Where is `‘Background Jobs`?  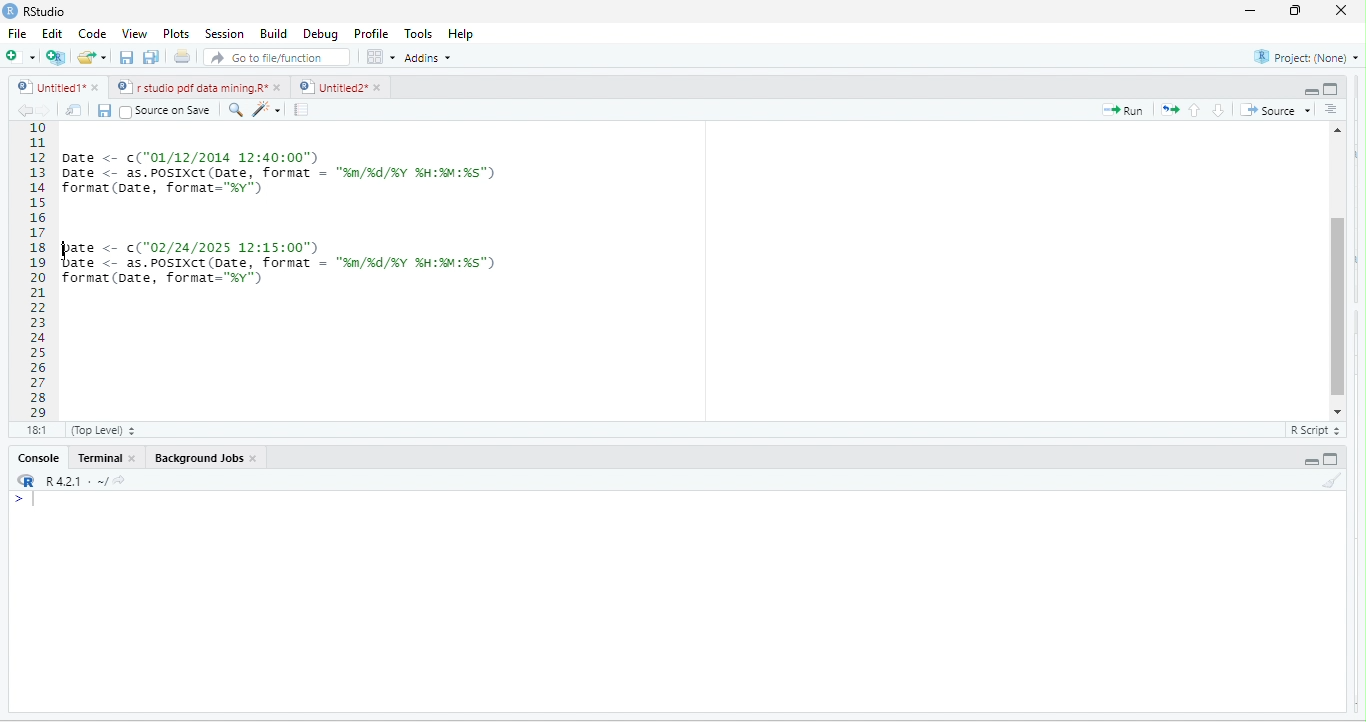 ‘Background Jobs is located at coordinates (197, 459).